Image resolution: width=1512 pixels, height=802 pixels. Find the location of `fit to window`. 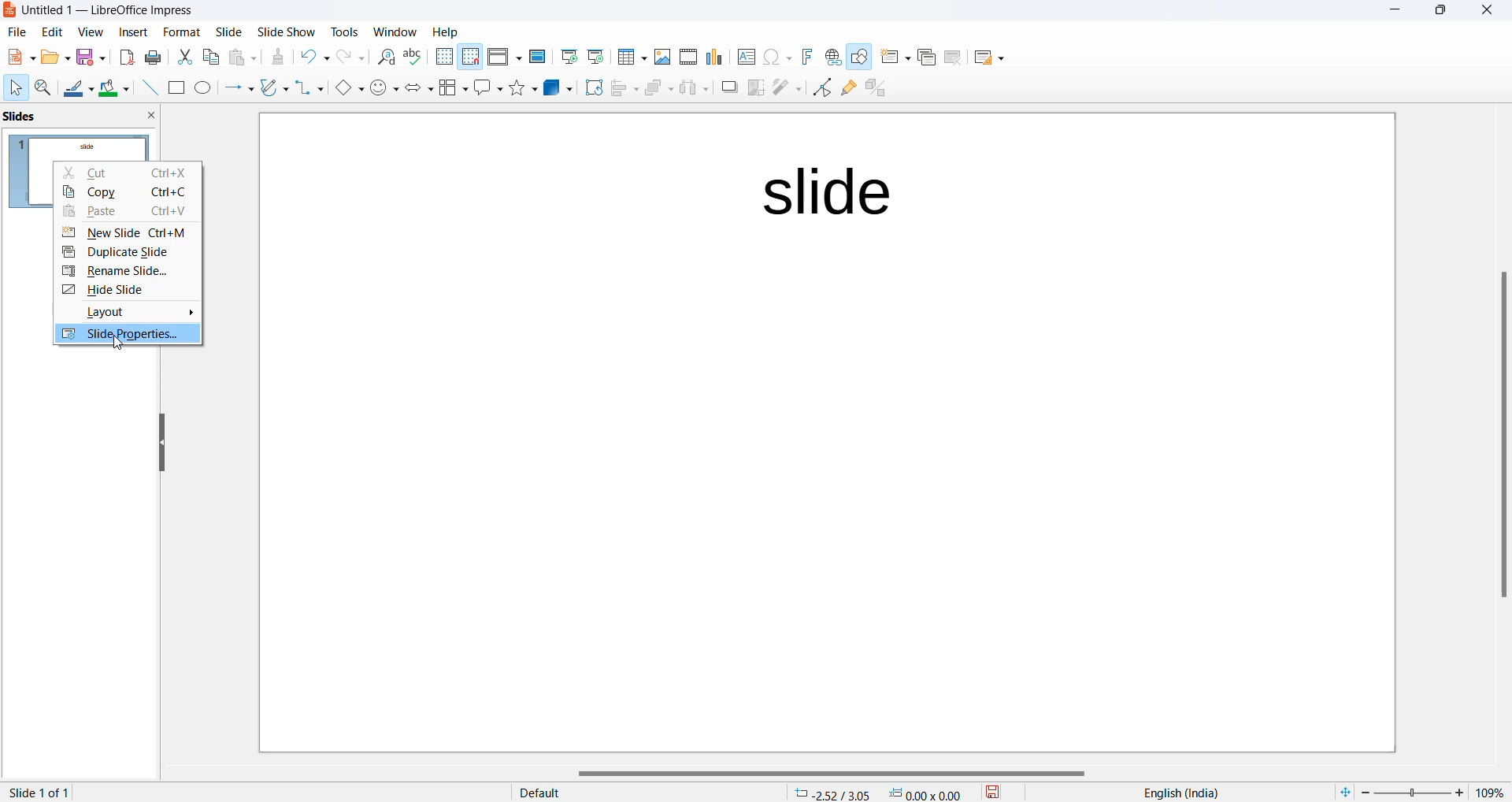

fit to window is located at coordinates (1344, 790).